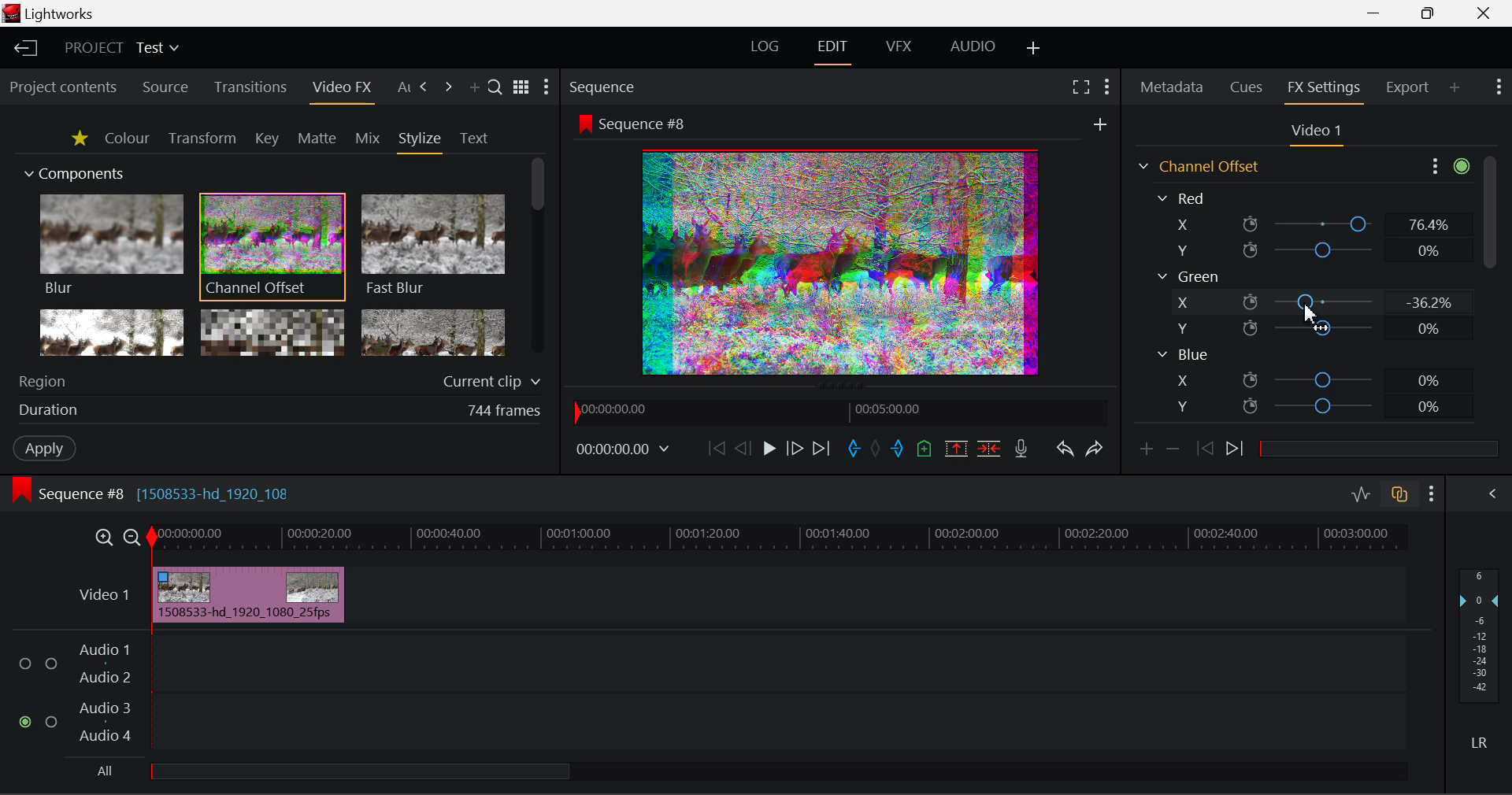  Describe the element at coordinates (1314, 134) in the screenshot. I see `Video Settings` at that location.